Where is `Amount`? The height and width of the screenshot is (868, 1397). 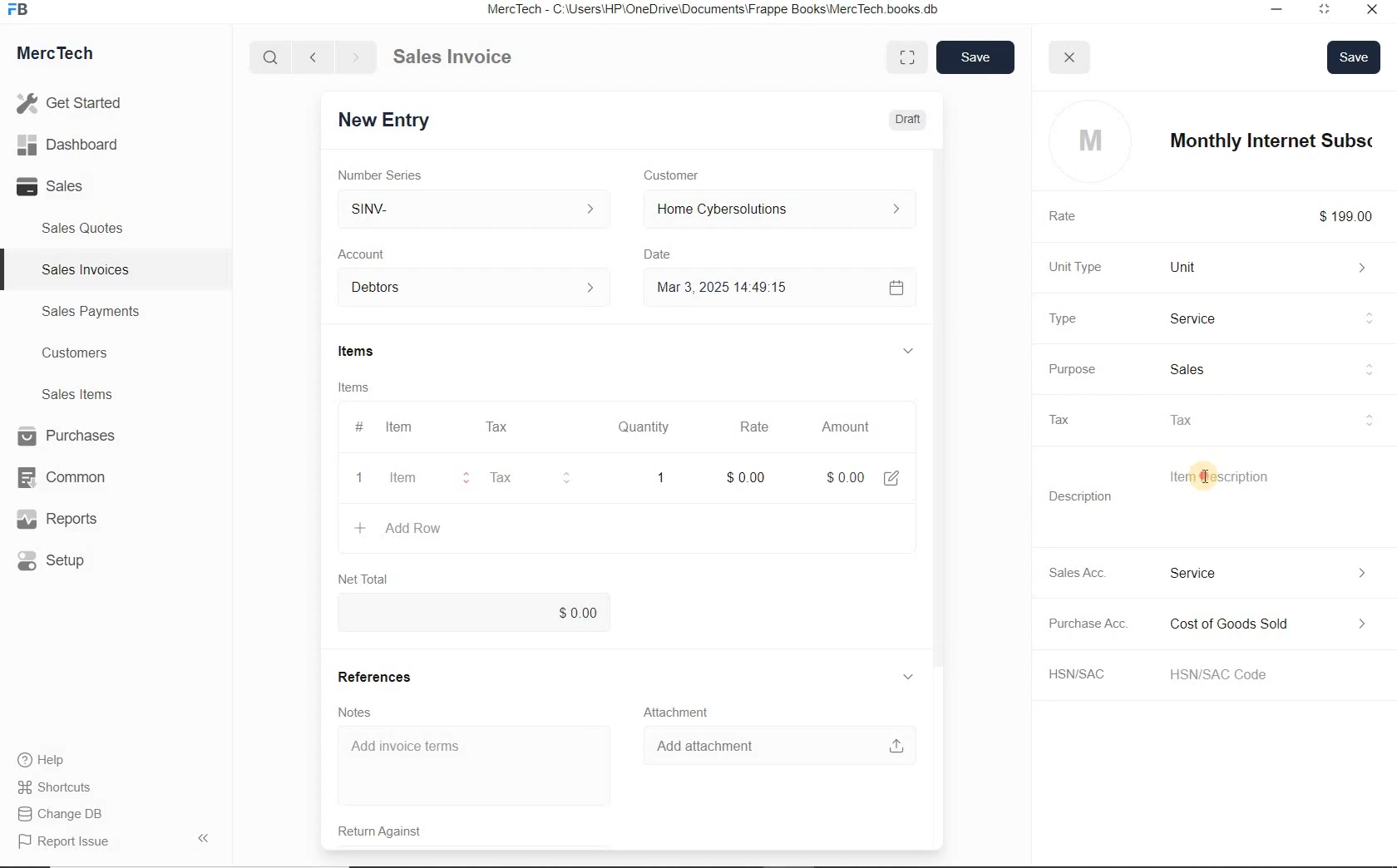
Amount is located at coordinates (842, 427).